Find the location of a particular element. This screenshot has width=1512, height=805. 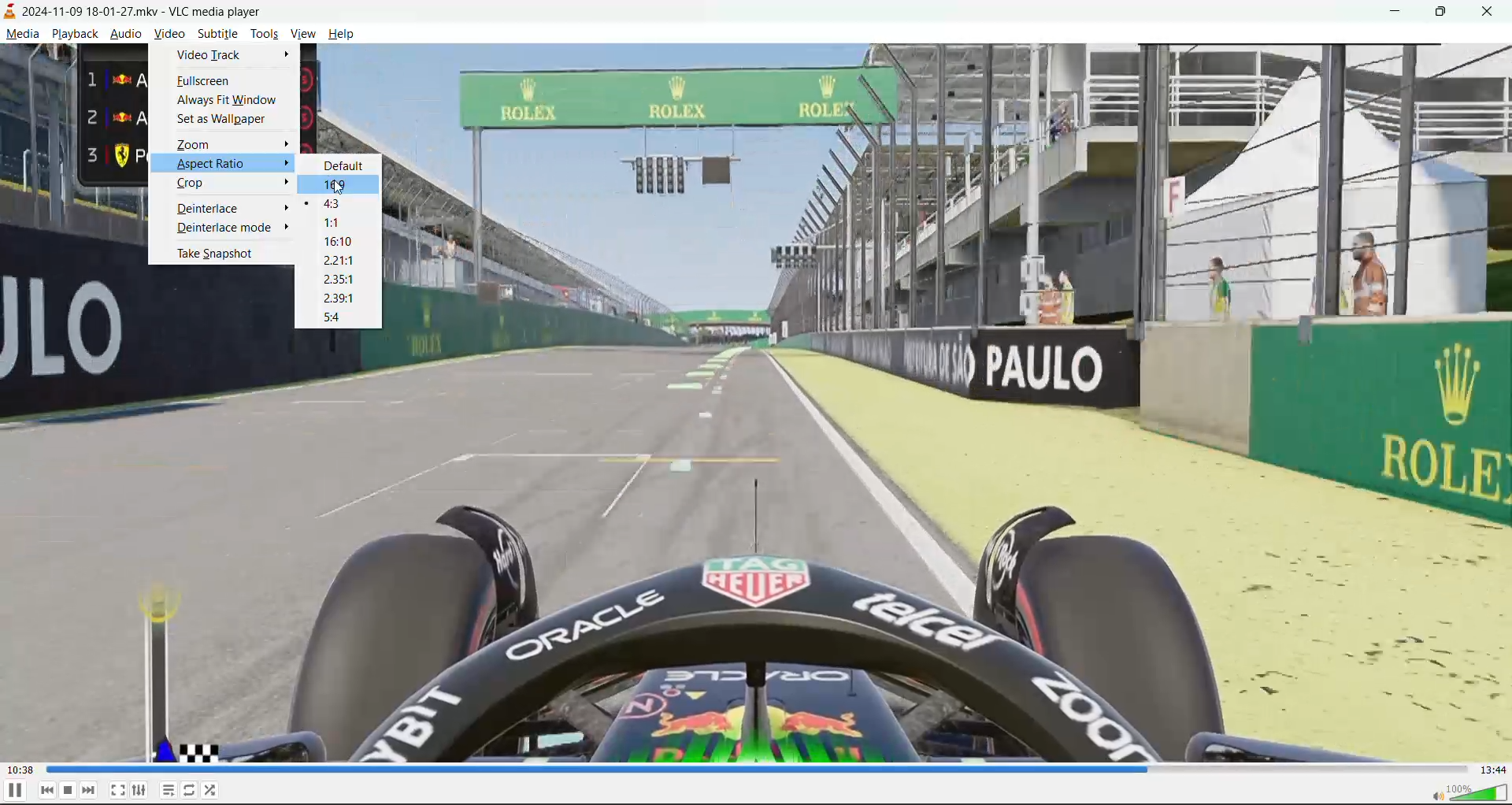

close is located at coordinates (1493, 12).